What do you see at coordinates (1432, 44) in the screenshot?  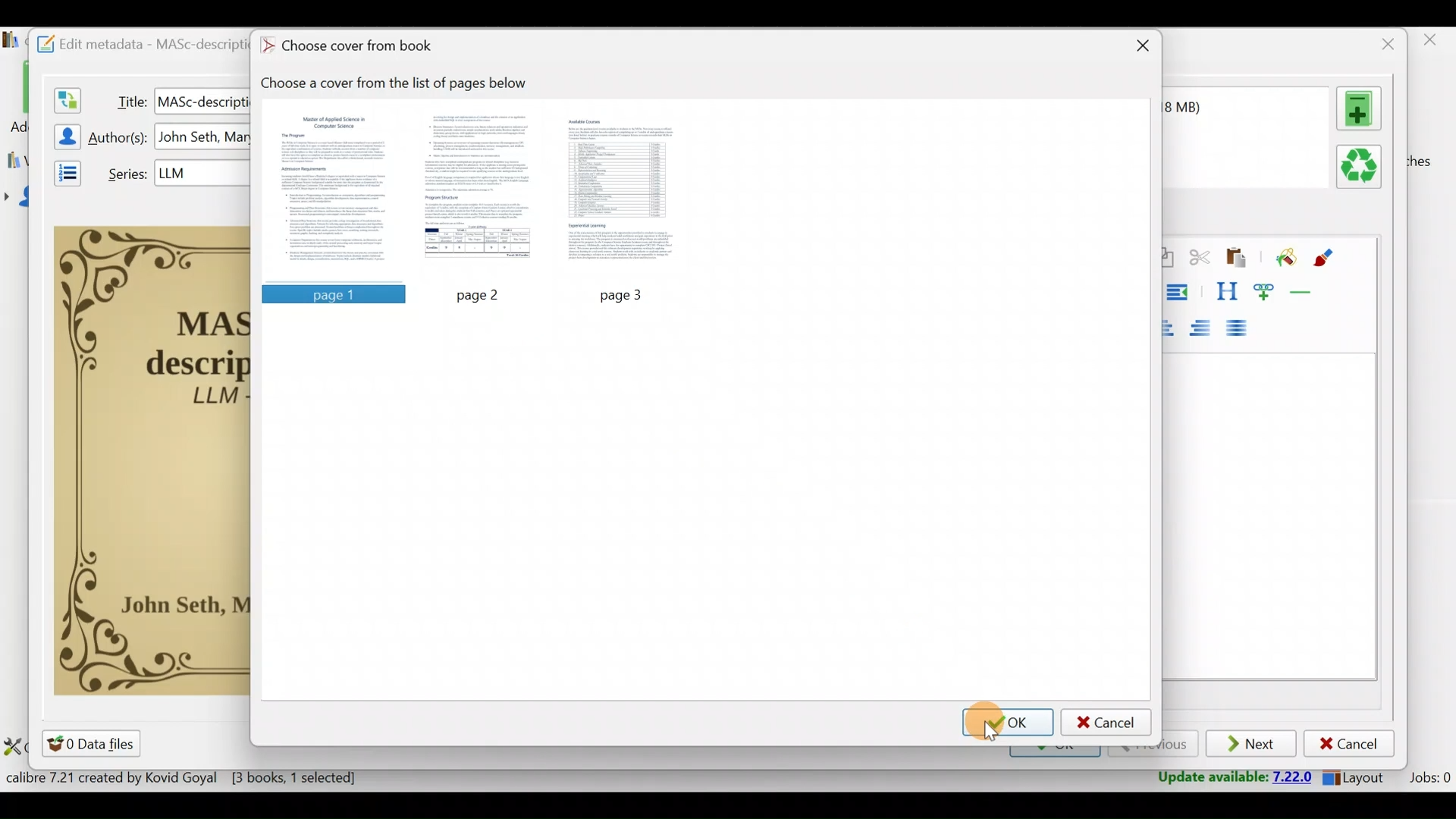 I see ` Close` at bounding box center [1432, 44].